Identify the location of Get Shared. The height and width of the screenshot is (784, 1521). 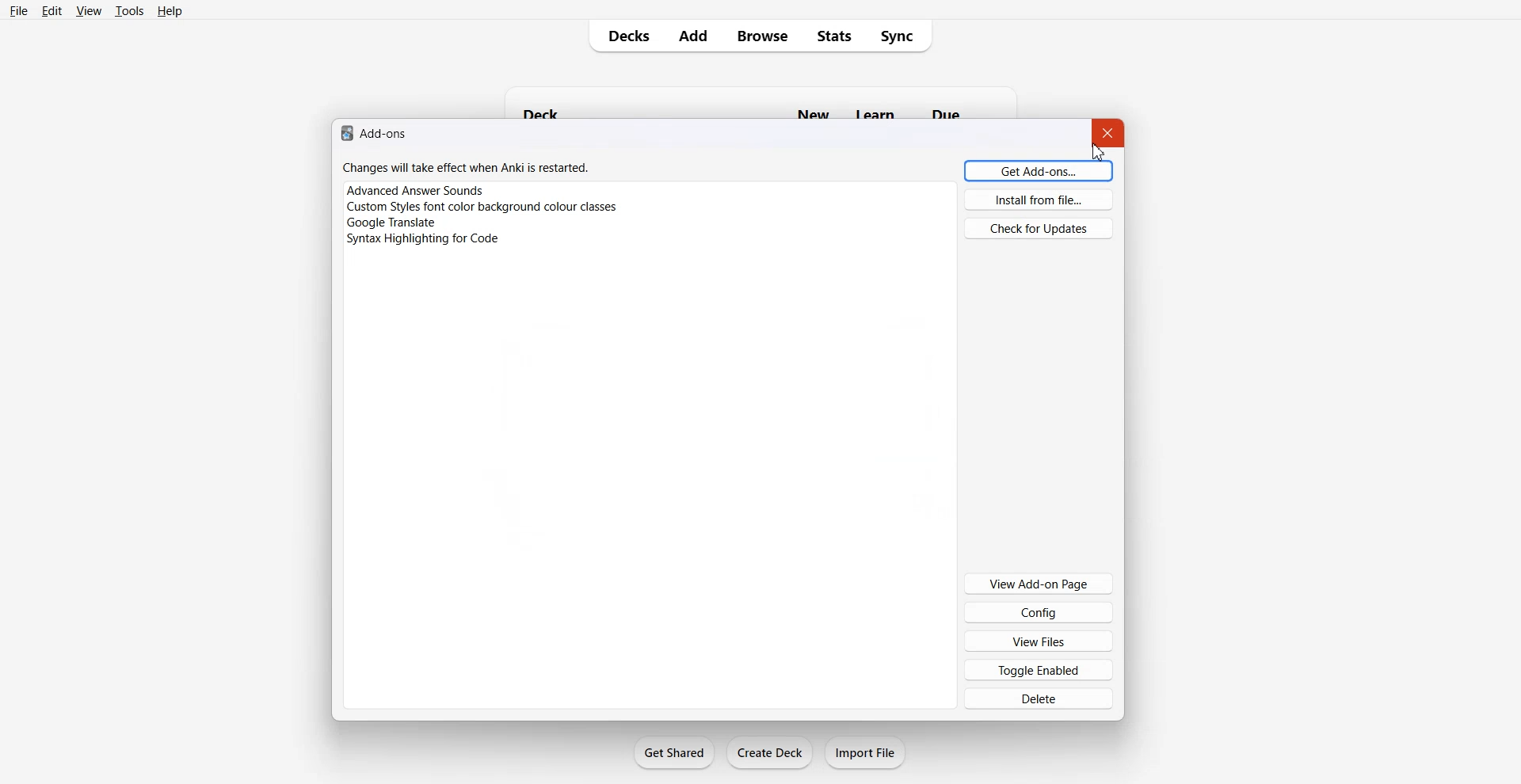
(675, 752).